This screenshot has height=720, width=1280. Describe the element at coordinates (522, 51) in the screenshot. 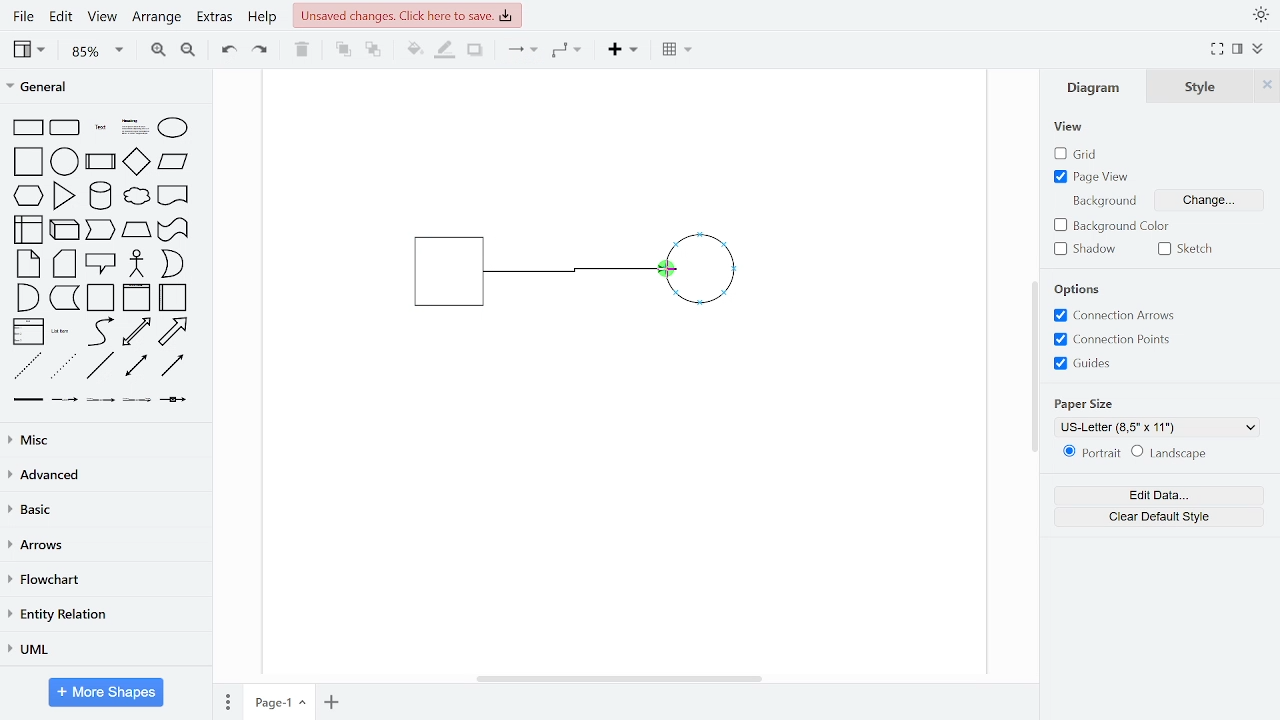

I see `connector` at that location.